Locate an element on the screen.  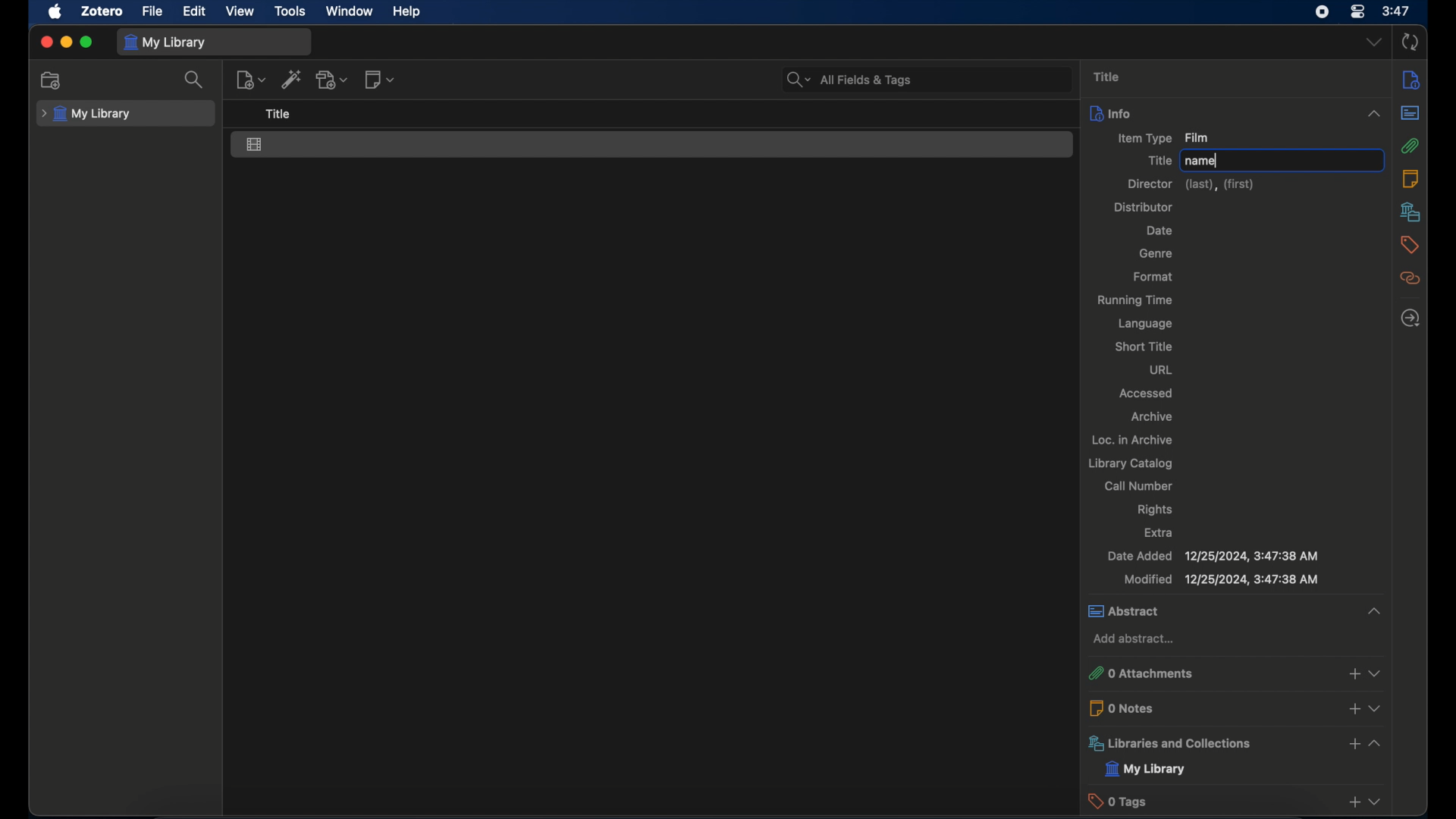
date is located at coordinates (1159, 230).